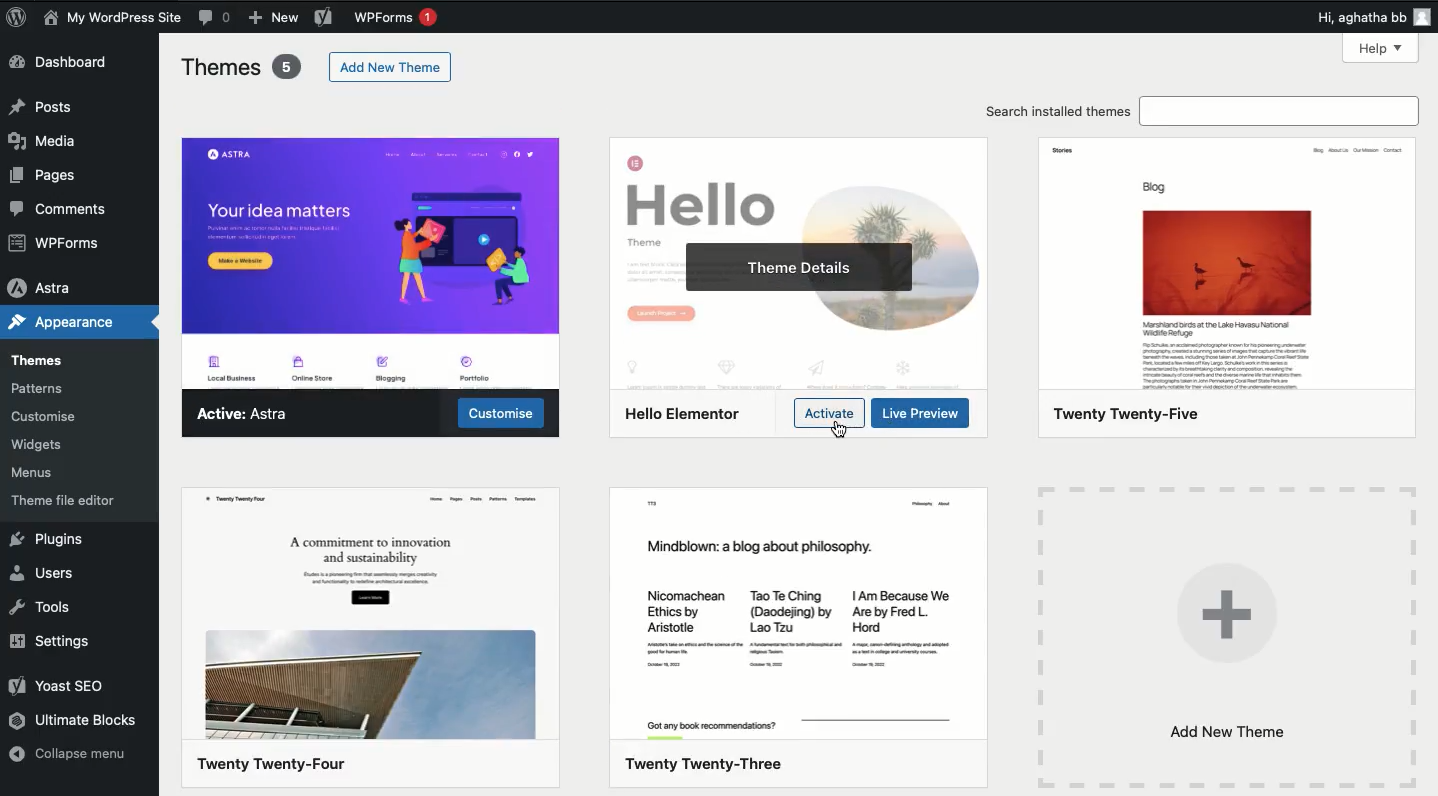 Image resolution: width=1438 pixels, height=796 pixels. Describe the element at coordinates (38, 443) in the screenshot. I see `Widgets` at that location.